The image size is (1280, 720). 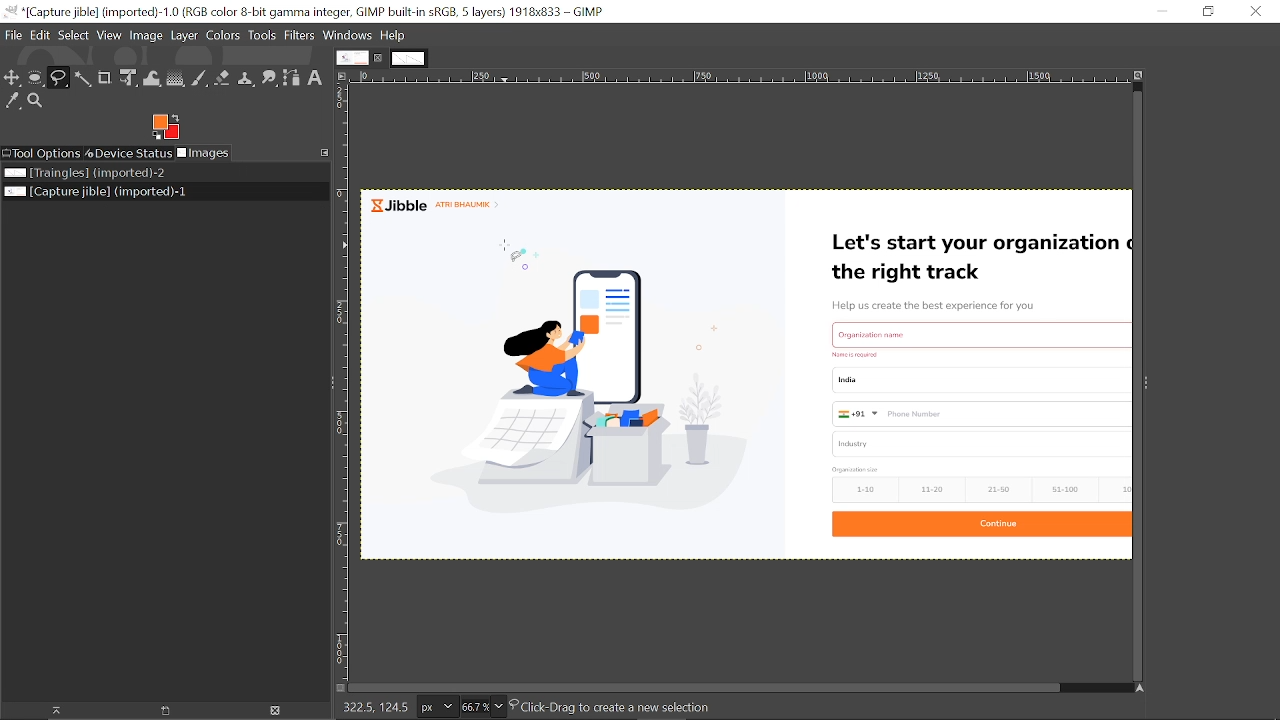 What do you see at coordinates (222, 77) in the screenshot?
I see `Eraser` at bounding box center [222, 77].